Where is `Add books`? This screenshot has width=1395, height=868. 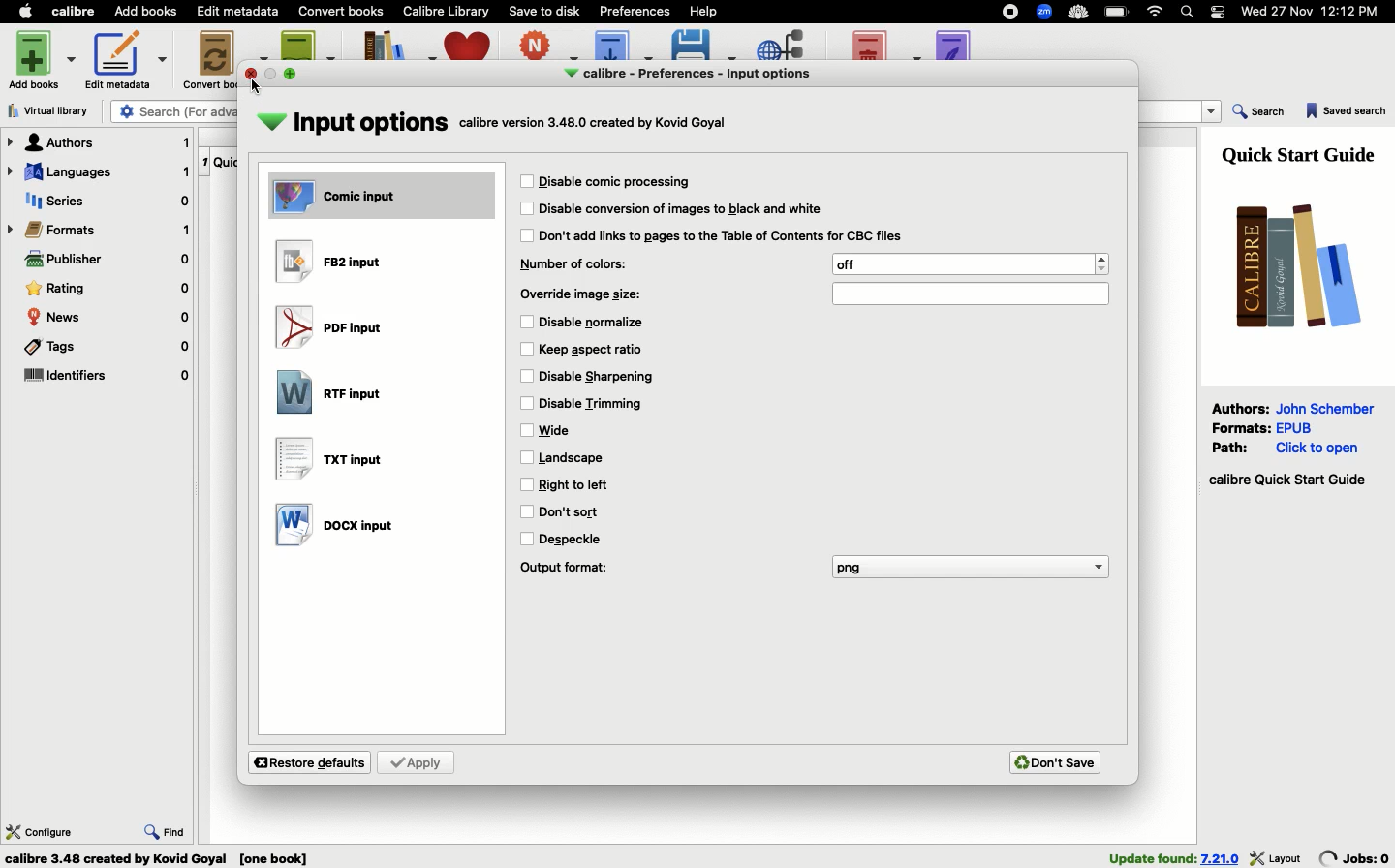 Add books is located at coordinates (146, 13).